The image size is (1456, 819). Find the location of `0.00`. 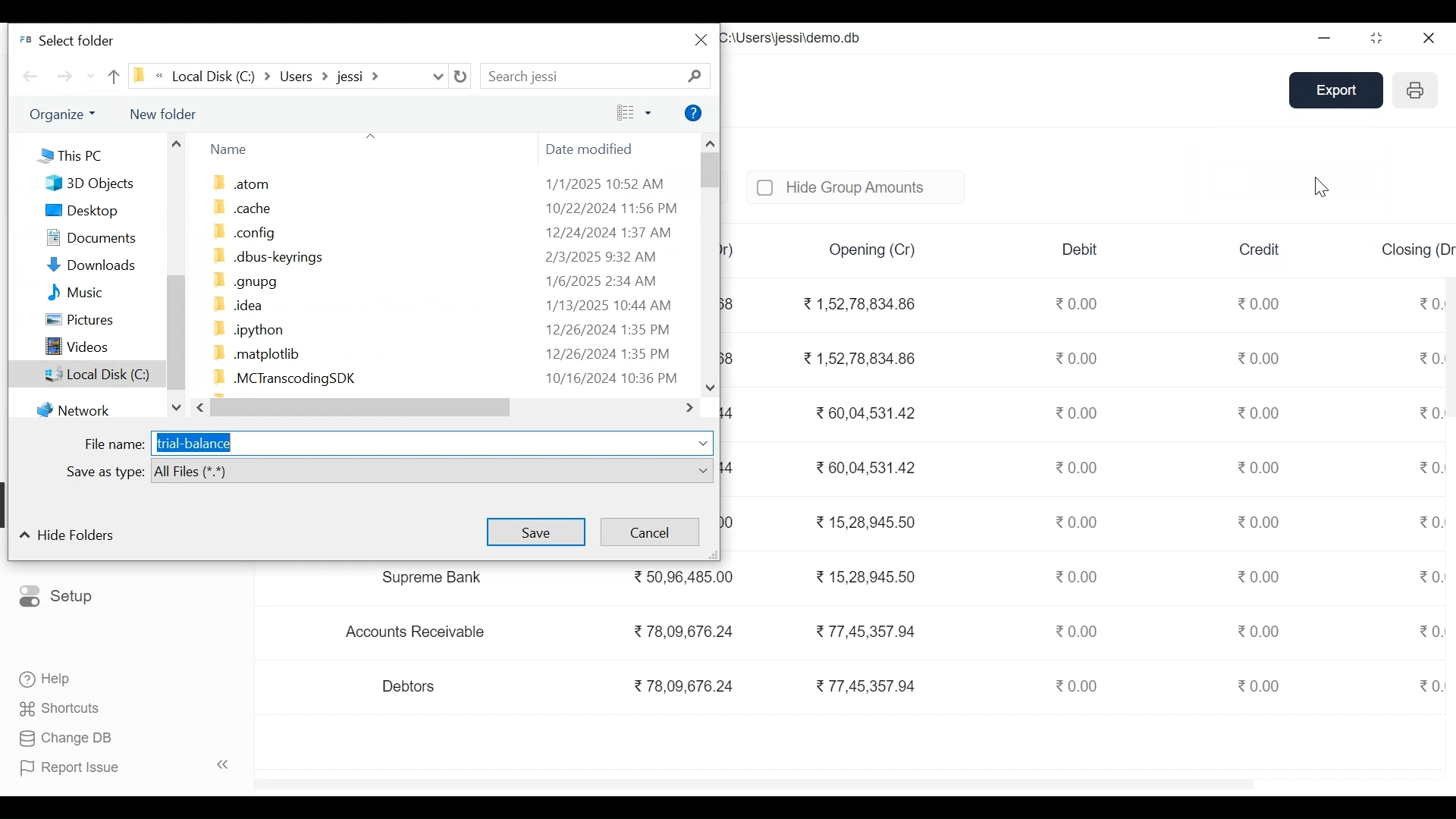

0.00 is located at coordinates (1431, 630).